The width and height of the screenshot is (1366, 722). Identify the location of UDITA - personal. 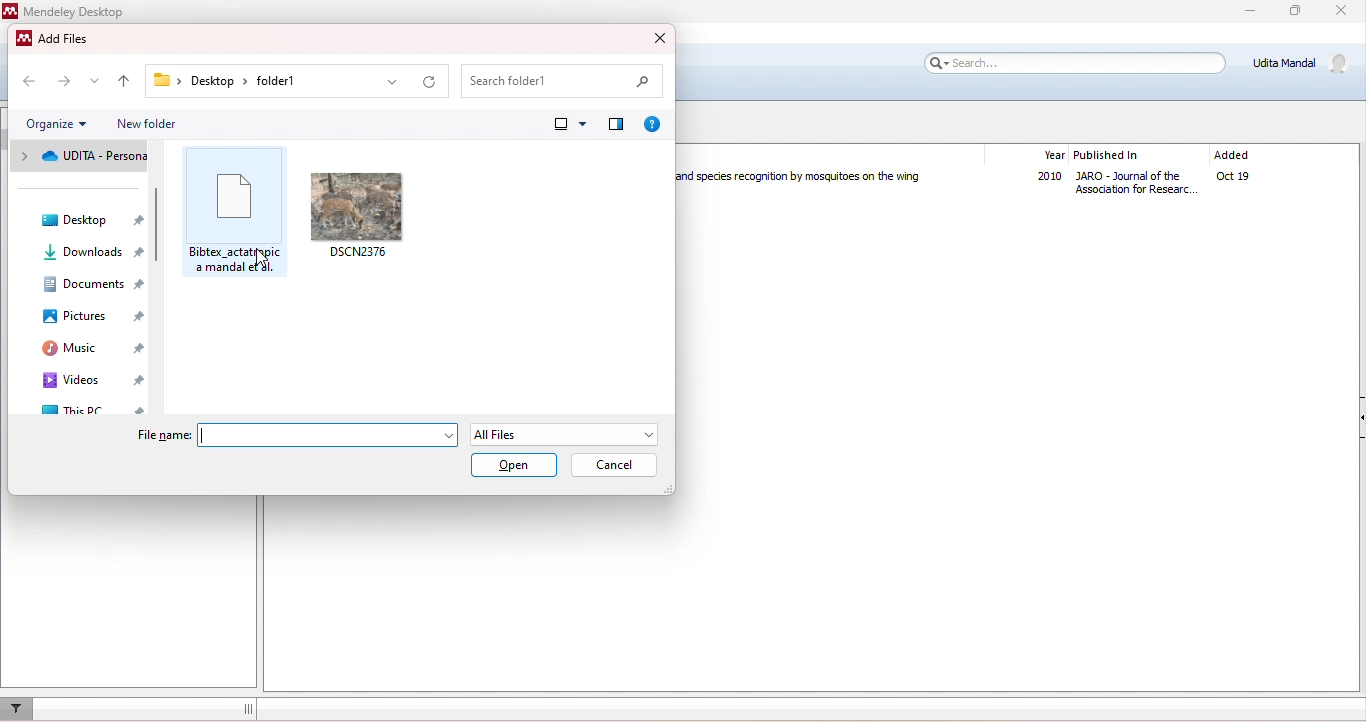
(82, 156).